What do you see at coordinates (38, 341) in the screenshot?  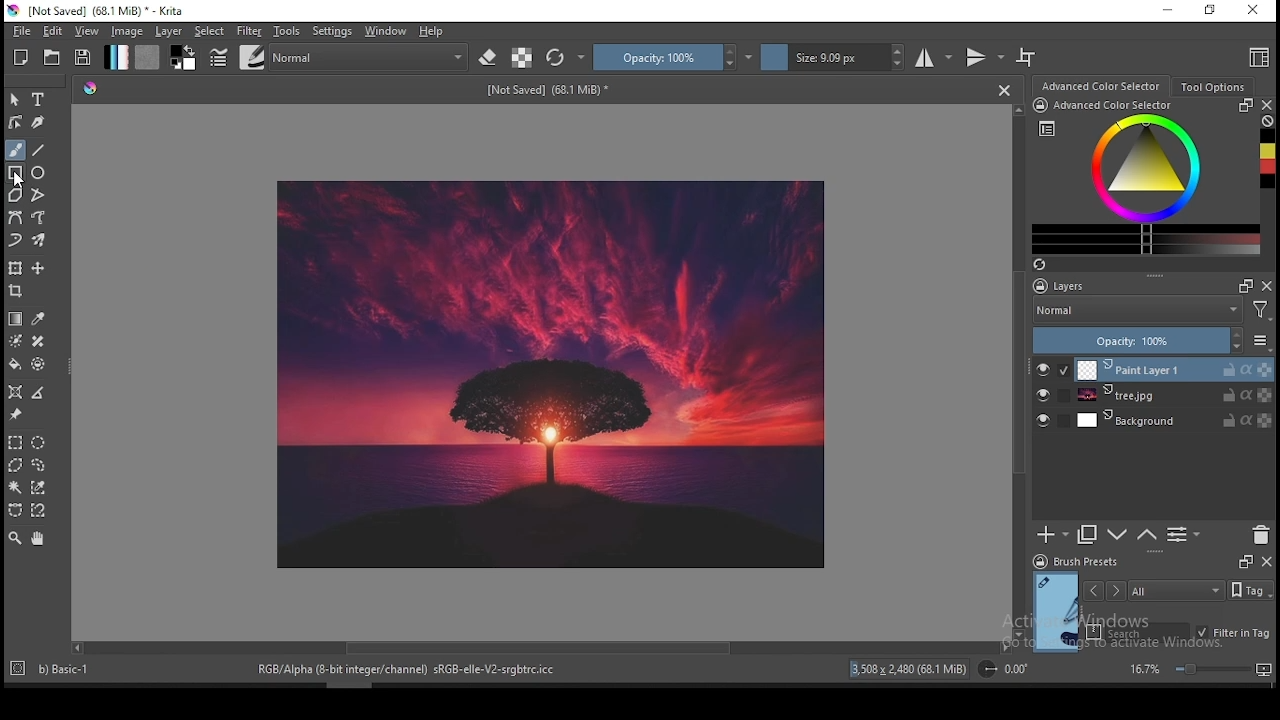 I see `smart patch tool` at bounding box center [38, 341].